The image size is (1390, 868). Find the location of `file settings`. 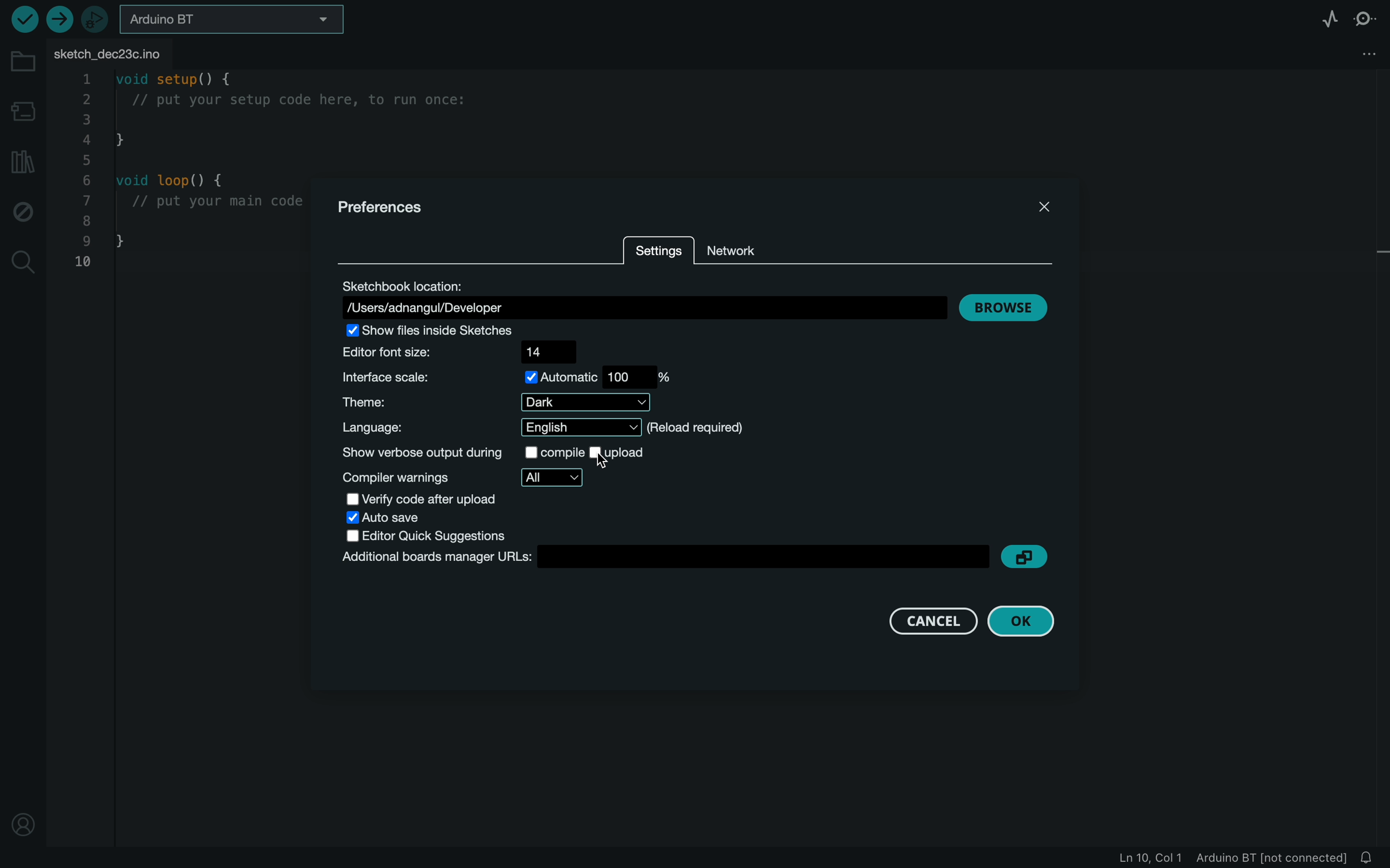

file settings is located at coordinates (1361, 52).